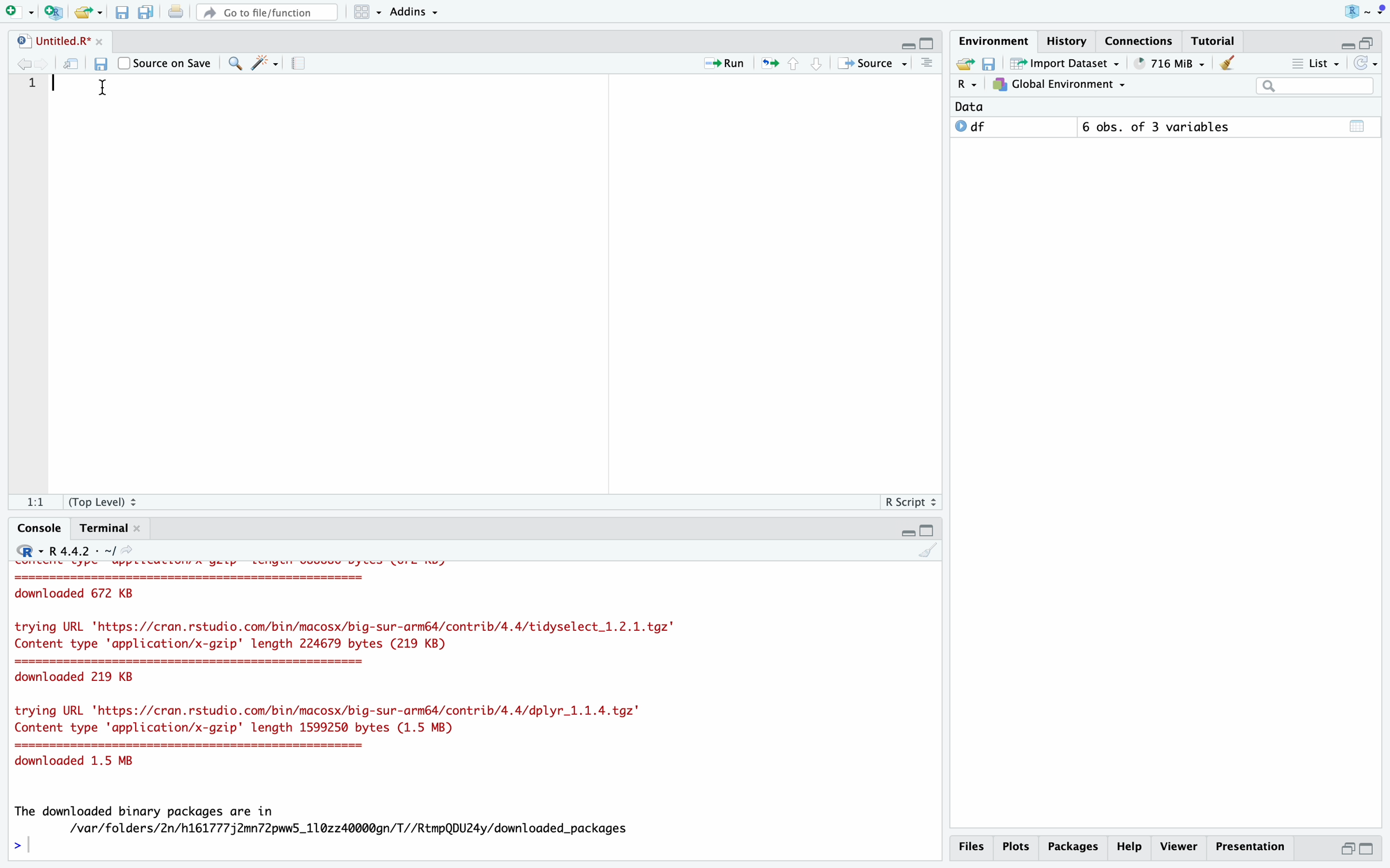 This screenshot has width=1390, height=868. Describe the element at coordinates (22, 64) in the screenshot. I see `Go to previous location` at that location.